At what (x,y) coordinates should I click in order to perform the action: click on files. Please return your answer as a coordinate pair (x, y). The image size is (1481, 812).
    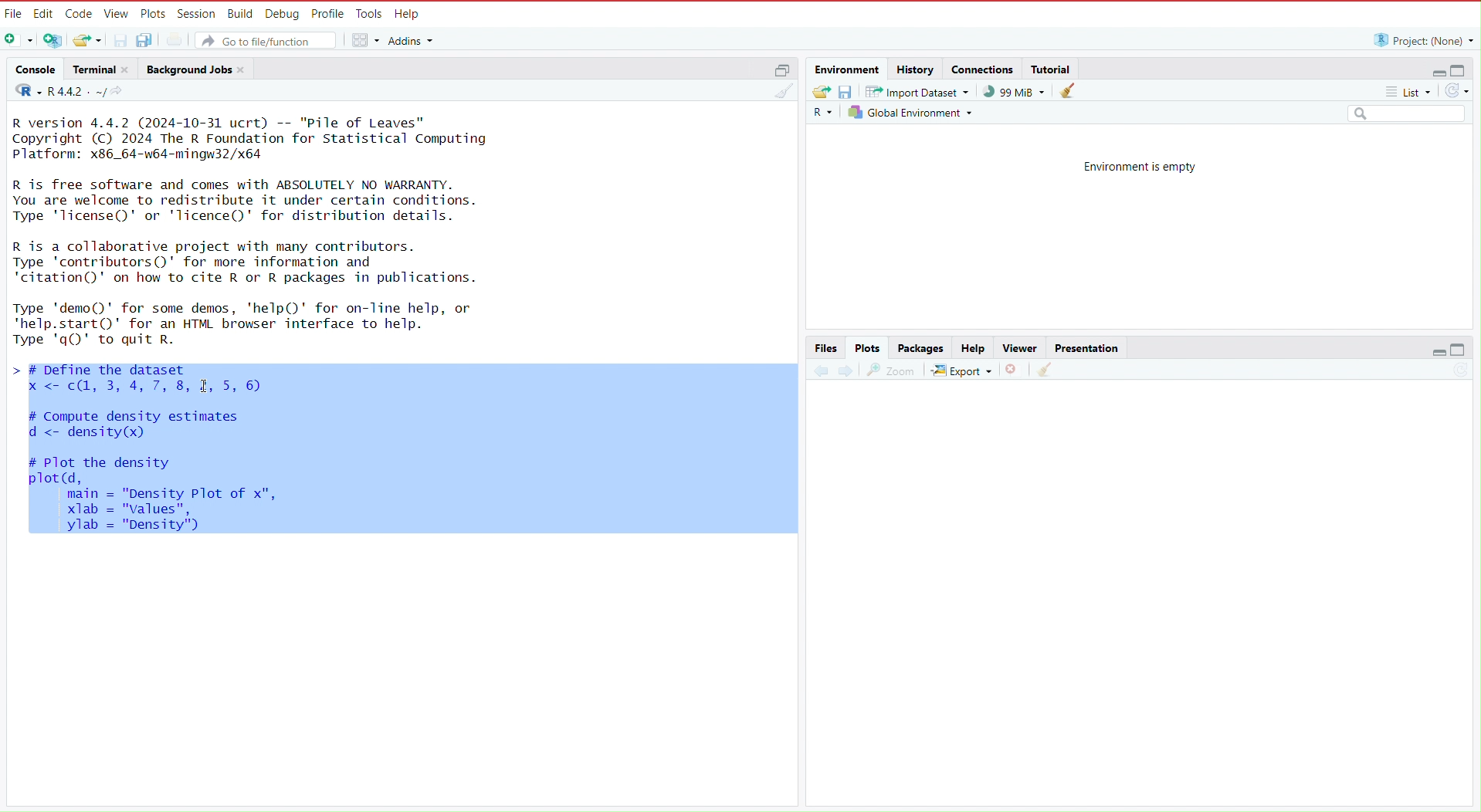
    Looking at the image, I should click on (826, 347).